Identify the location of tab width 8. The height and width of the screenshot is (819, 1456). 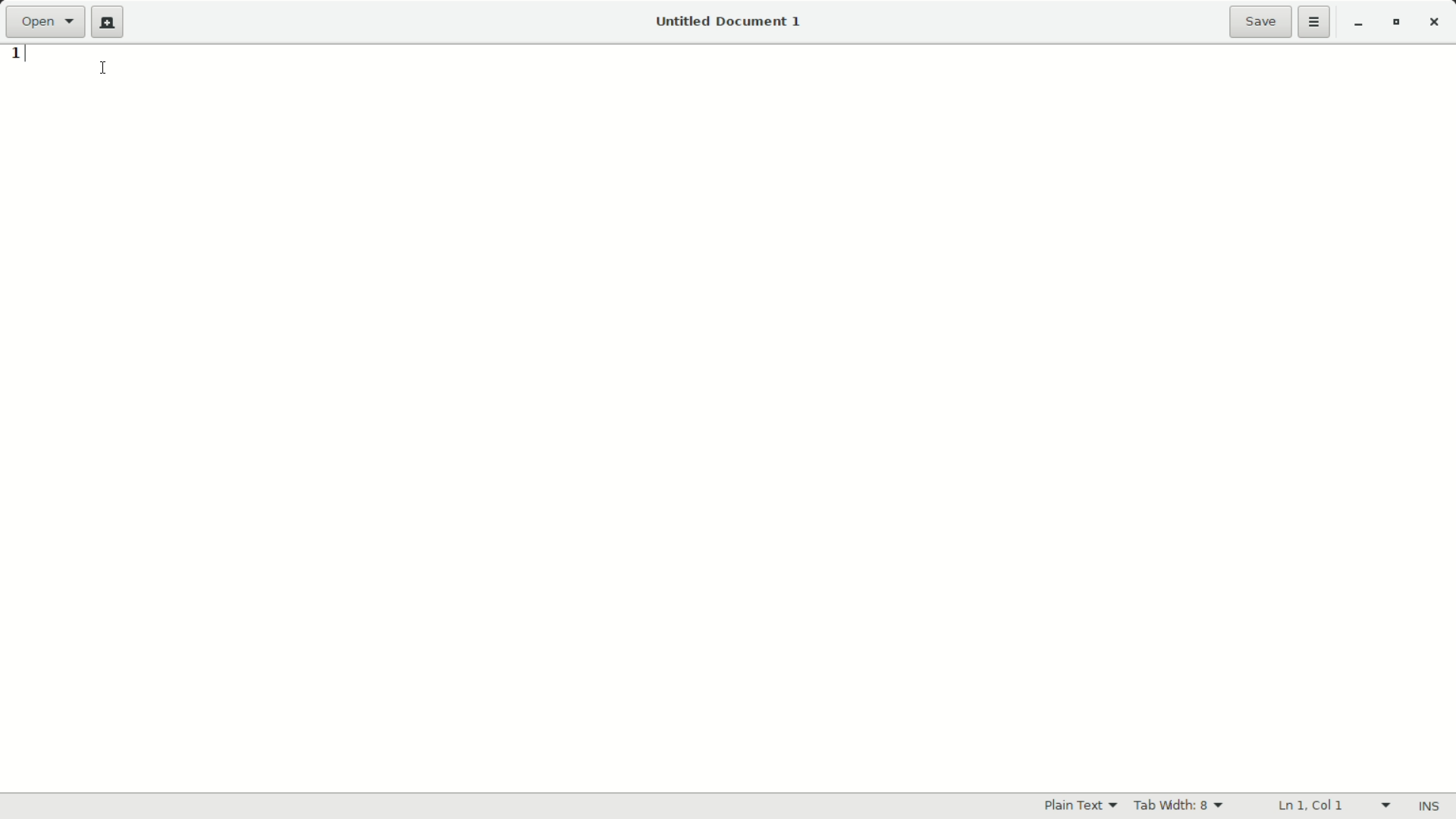
(1180, 807).